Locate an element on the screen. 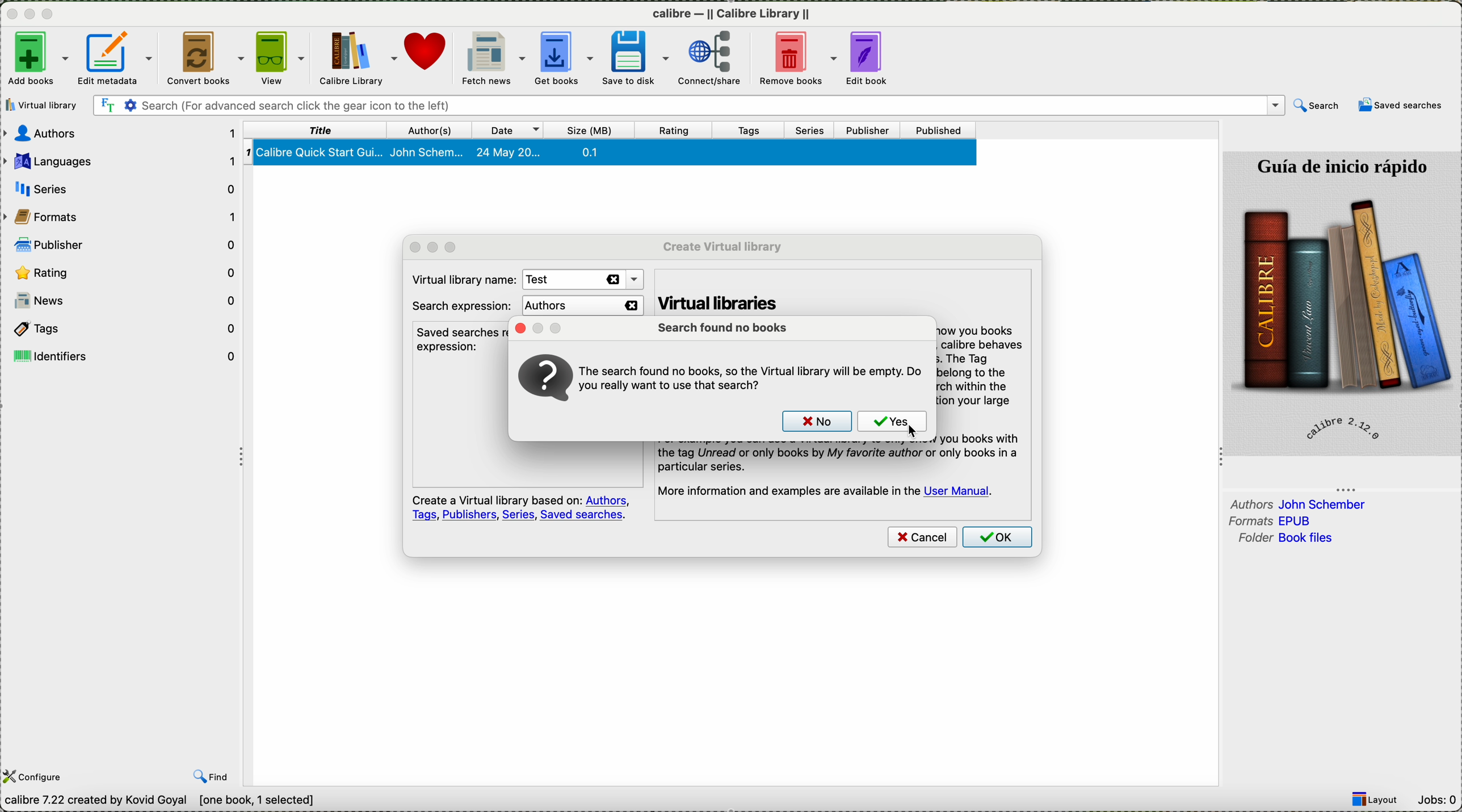 This screenshot has height=812, width=1462. click on OK button is located at coordinates (996, 538).